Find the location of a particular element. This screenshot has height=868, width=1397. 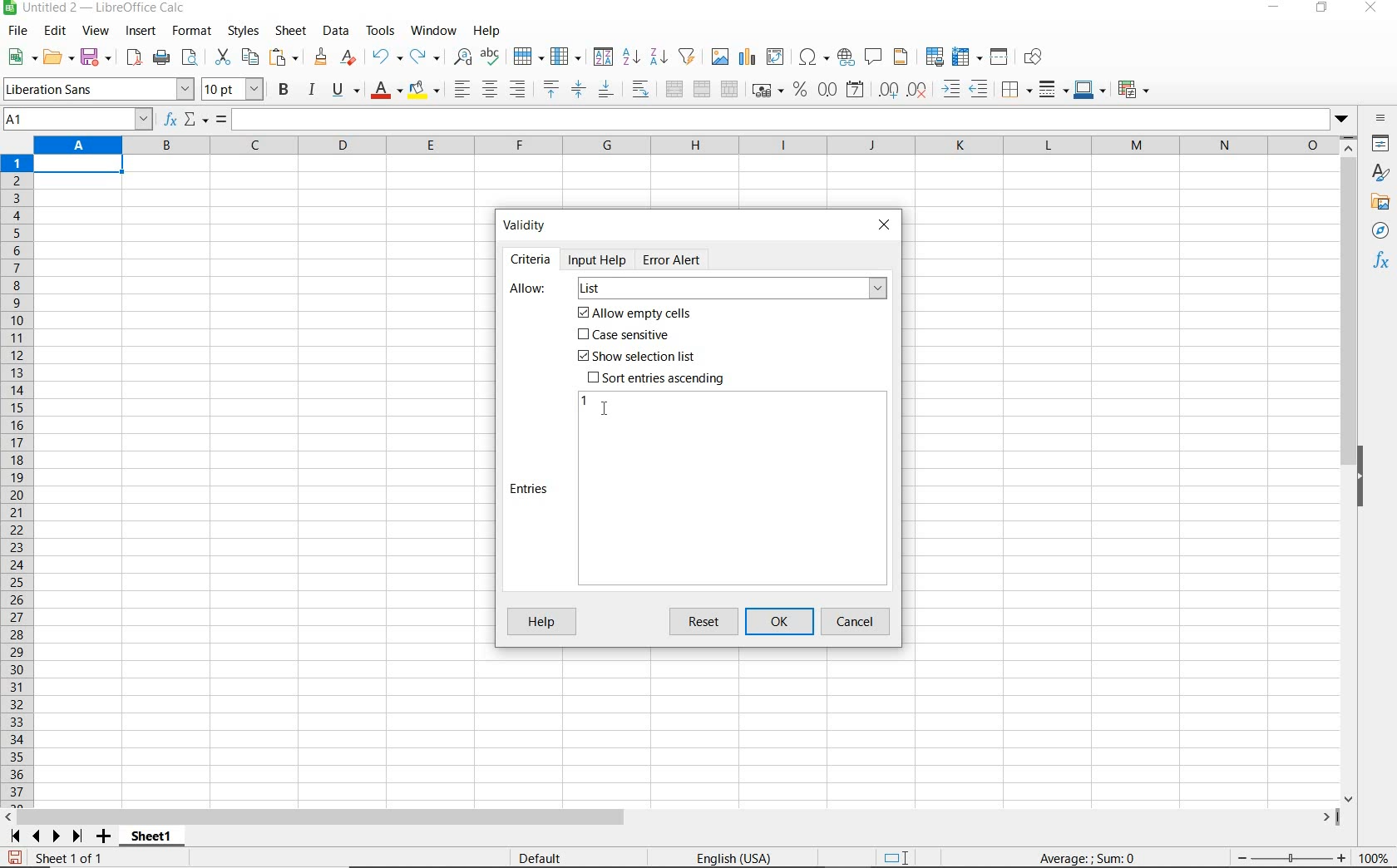

cancel is located at coordinates (857, 622).